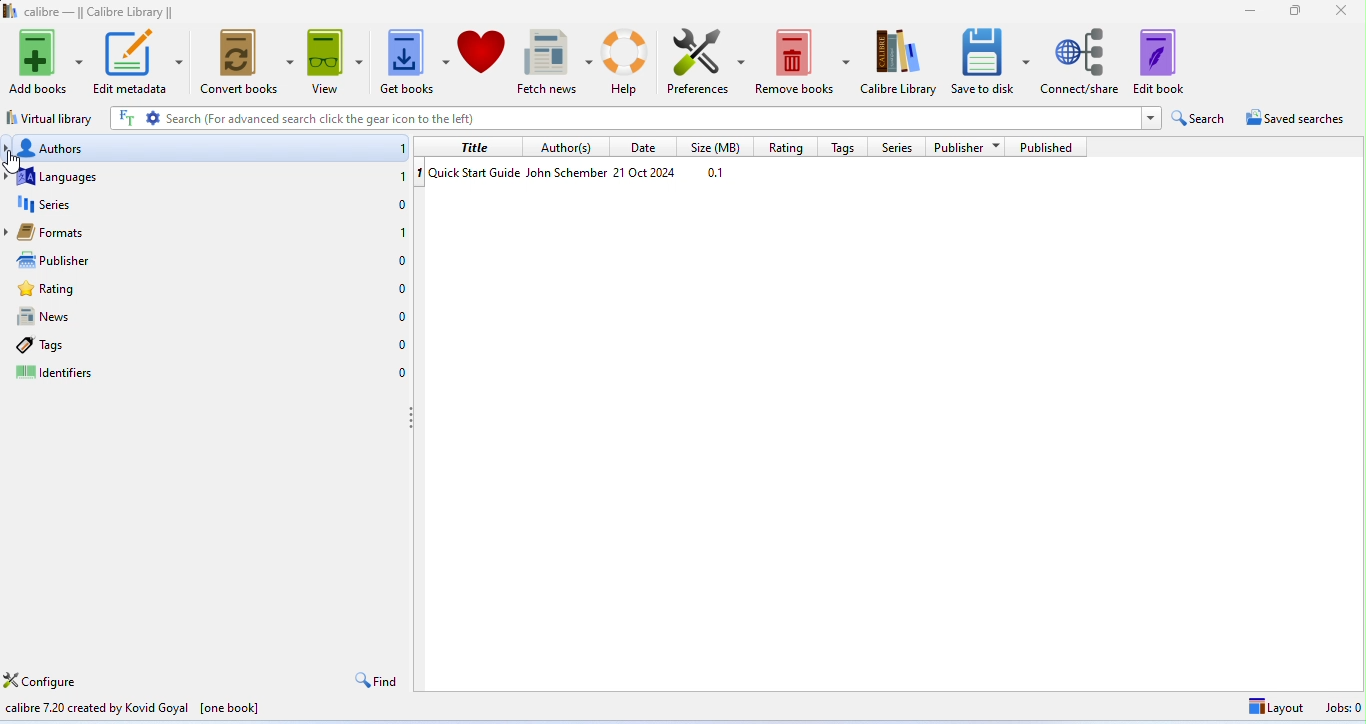 The height and width of the screenshot is (724, 1366). Describe the element at coordinates (476, 174) in the screenshot. I see `book name` at that location.